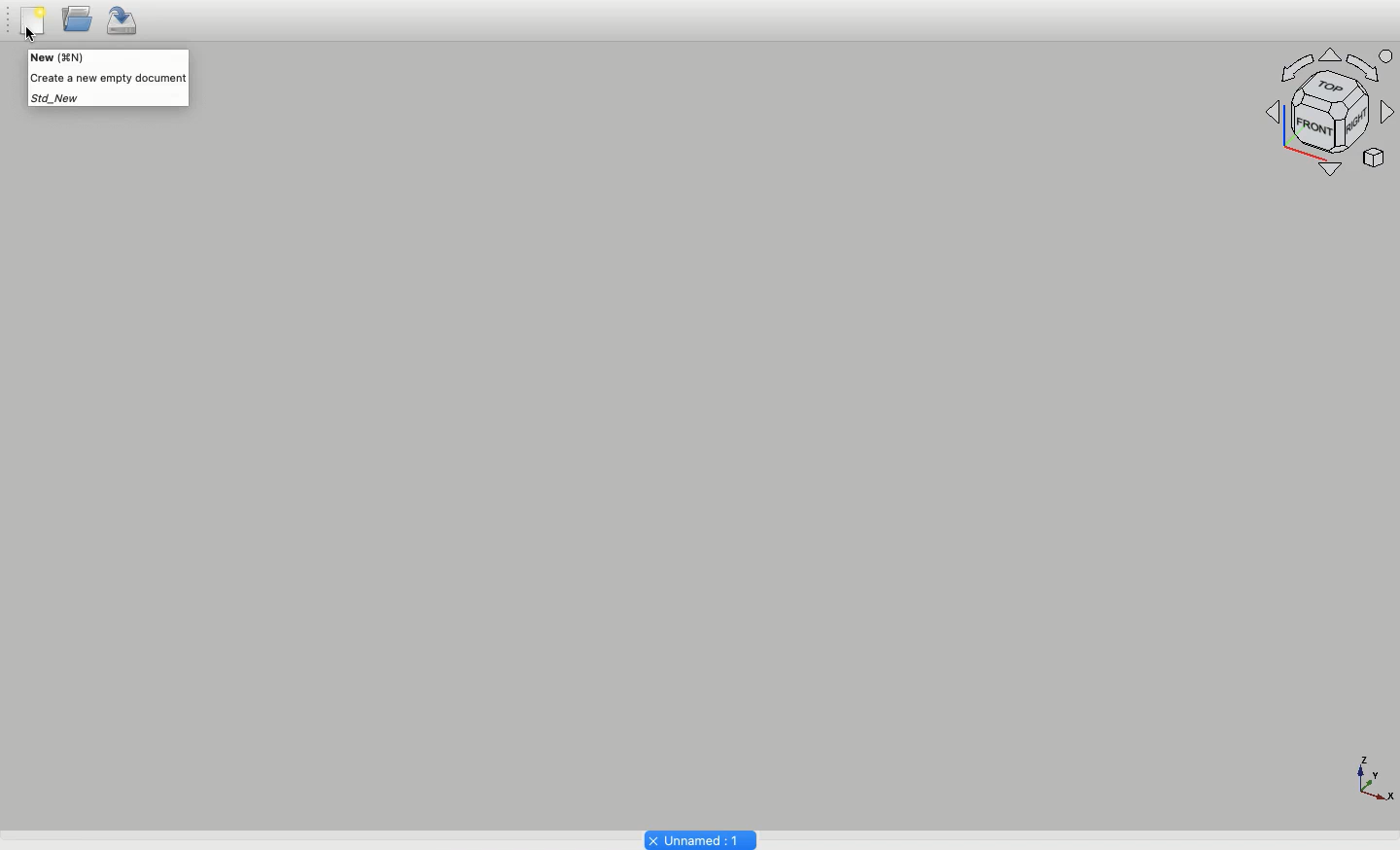 This screenshot has height=850, width=1400. What do you see at coordinates (1372, 776) in the screenshot?
I see `Axis` at bounding box center [1372, 776].